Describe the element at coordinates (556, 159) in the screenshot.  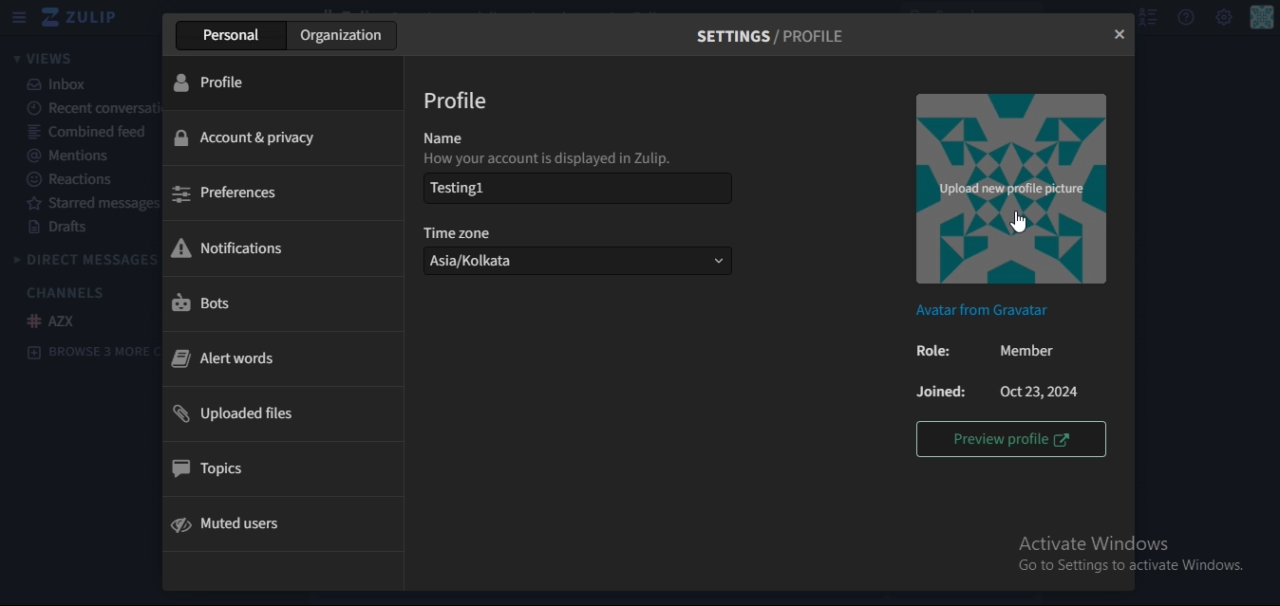
I see `How your account is displayed in Zulip.` at that location.